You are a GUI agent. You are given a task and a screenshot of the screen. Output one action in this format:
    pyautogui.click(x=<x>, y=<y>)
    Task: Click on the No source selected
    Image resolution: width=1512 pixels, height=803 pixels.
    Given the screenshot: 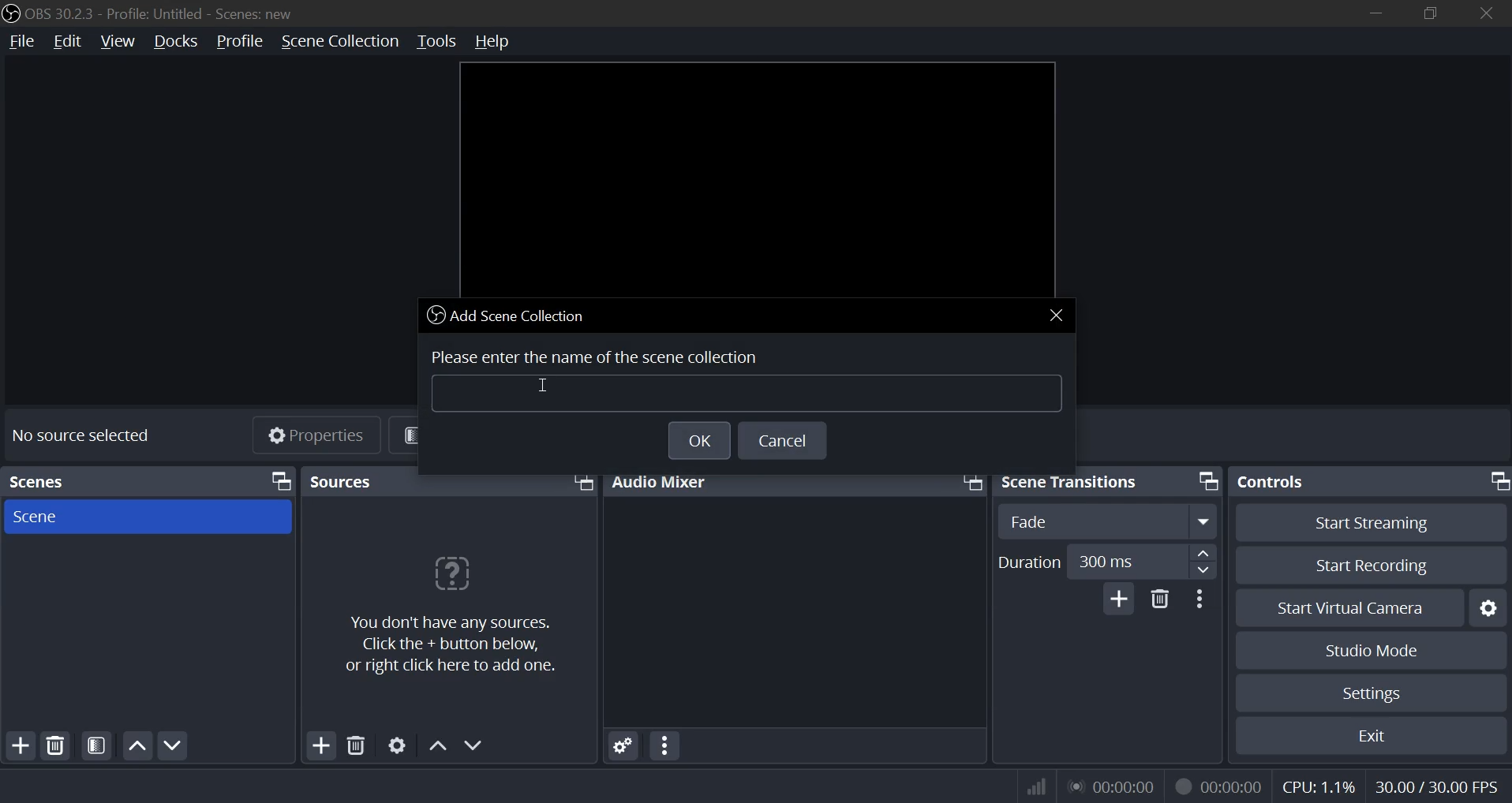 What is the action you would take?
    pyautogui.click(x=80, y=434)
    